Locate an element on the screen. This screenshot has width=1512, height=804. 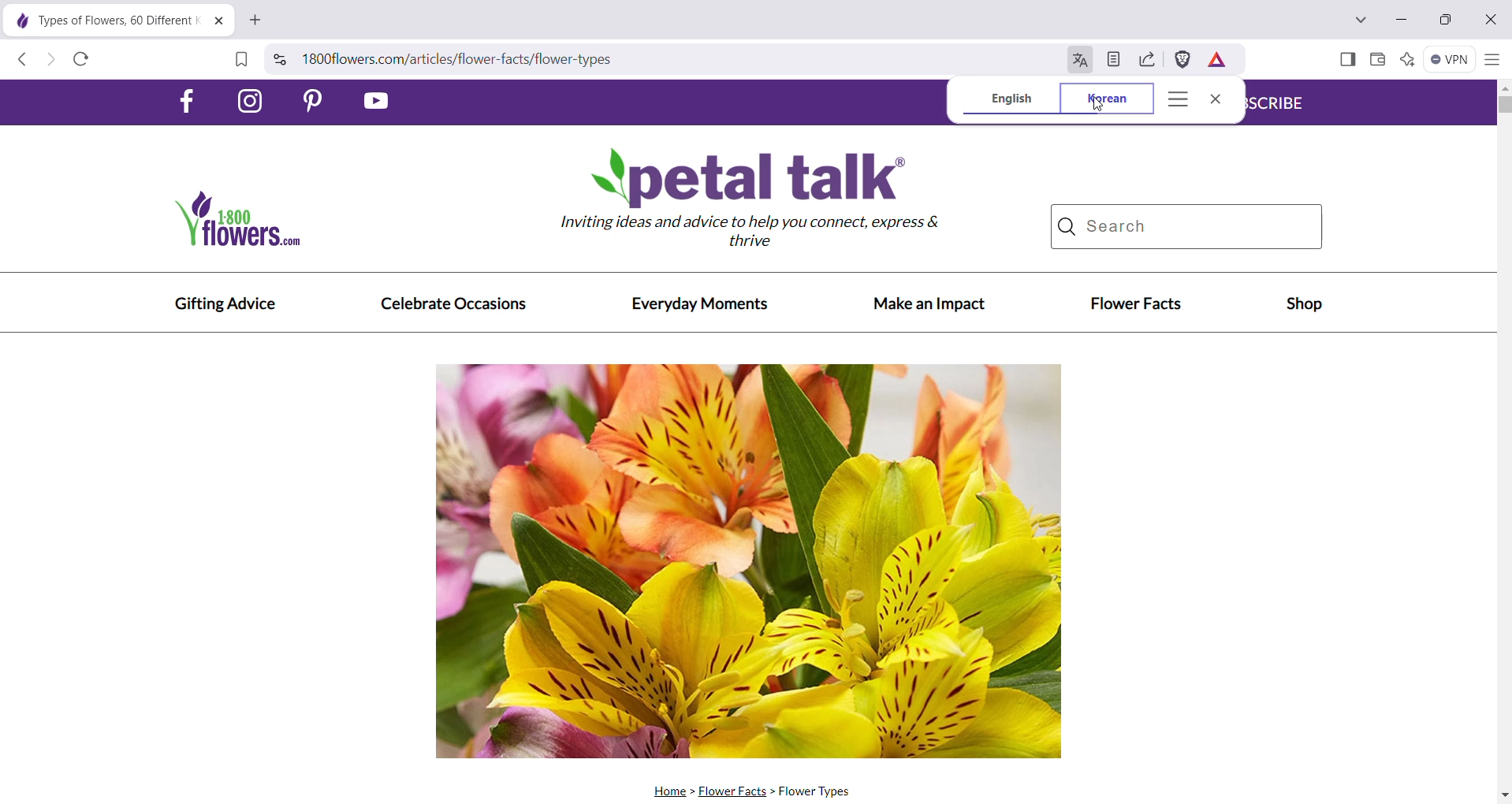
Brave Wallet is located at coordinates (1376, 61).